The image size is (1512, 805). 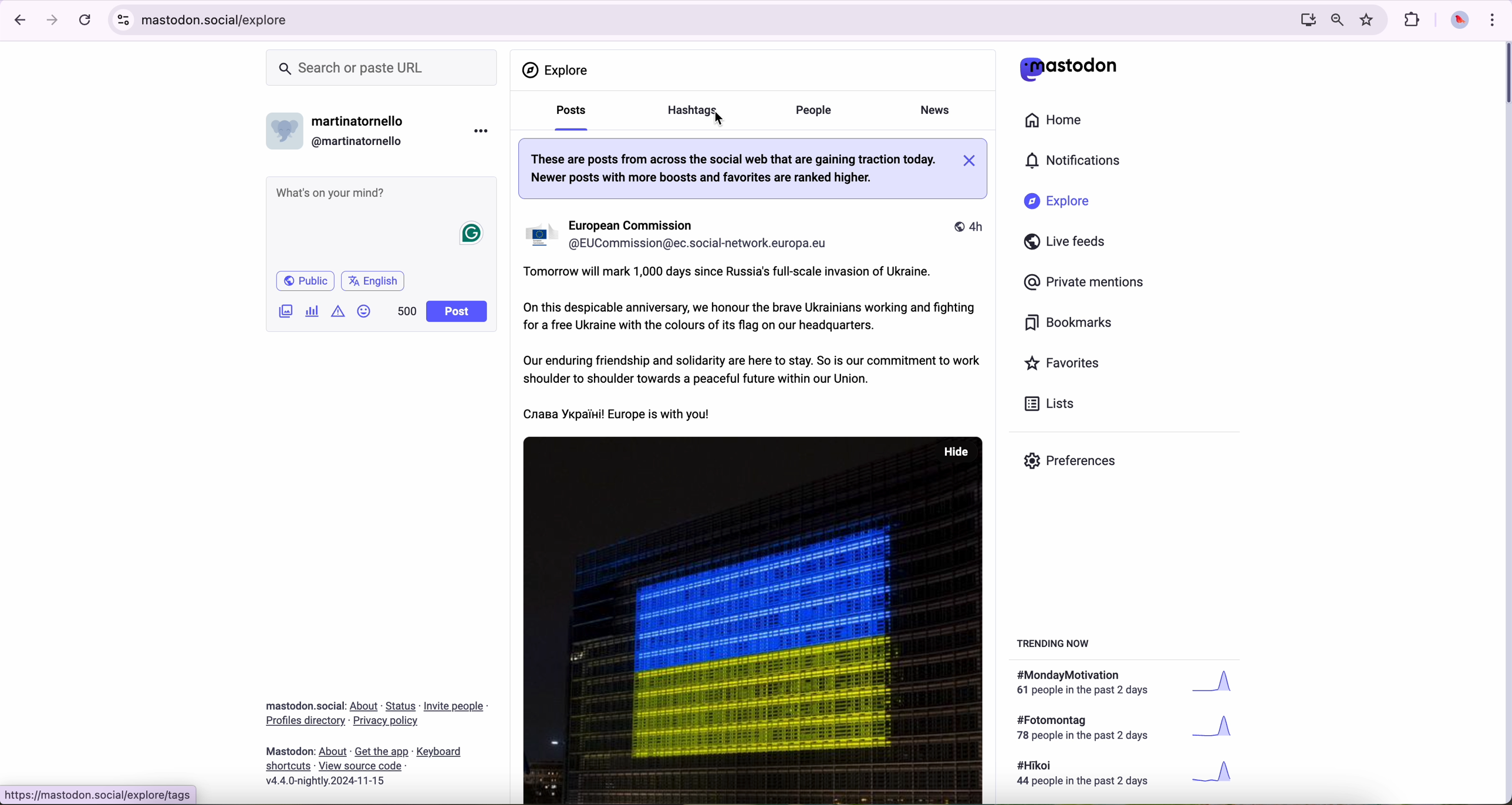 I want to click on preferences, so click(x=1072, y=462).